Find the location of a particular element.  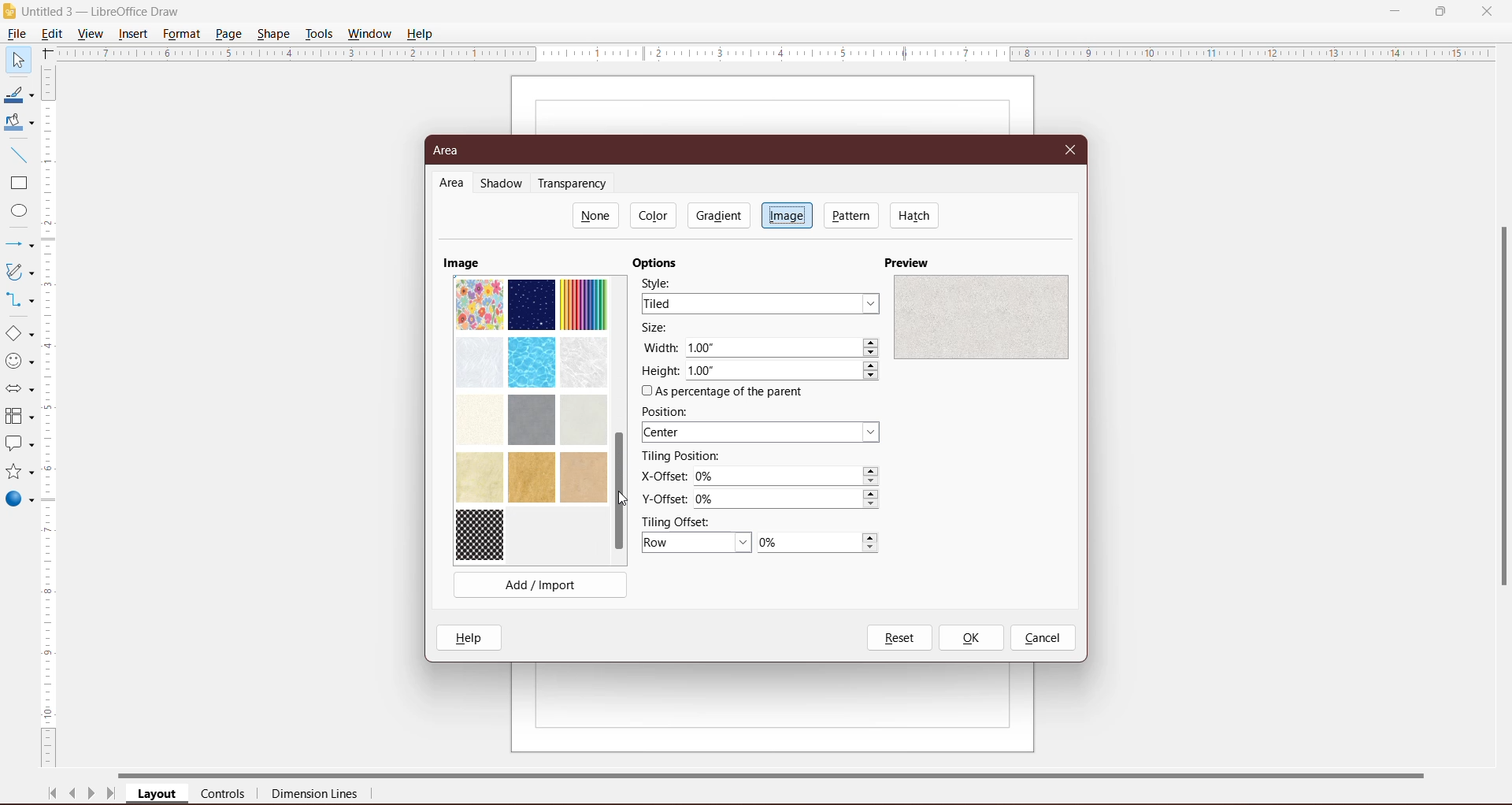

Close is located at coordinates (1071, 148).